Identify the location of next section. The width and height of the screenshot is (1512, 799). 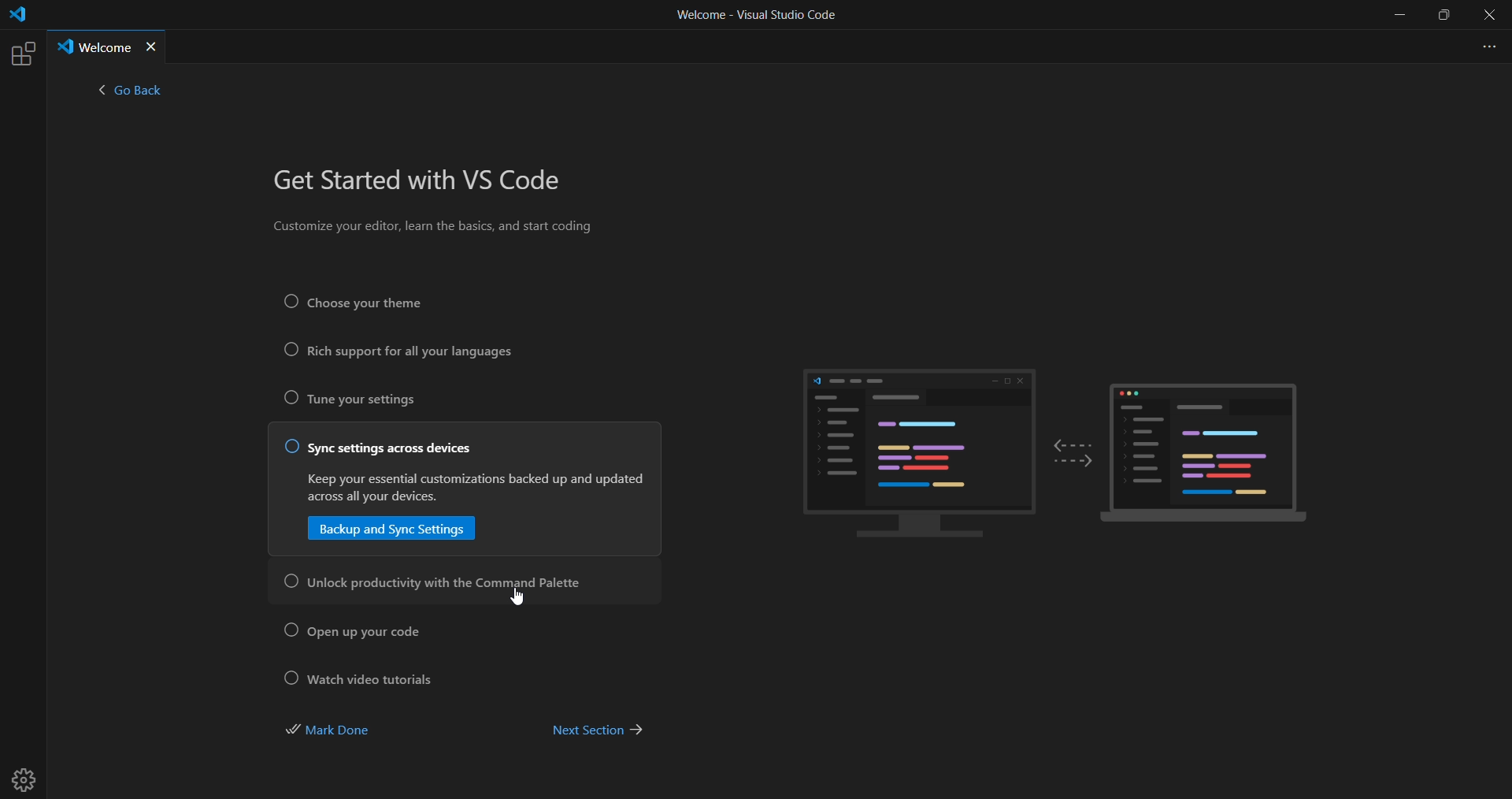
(597, 733).